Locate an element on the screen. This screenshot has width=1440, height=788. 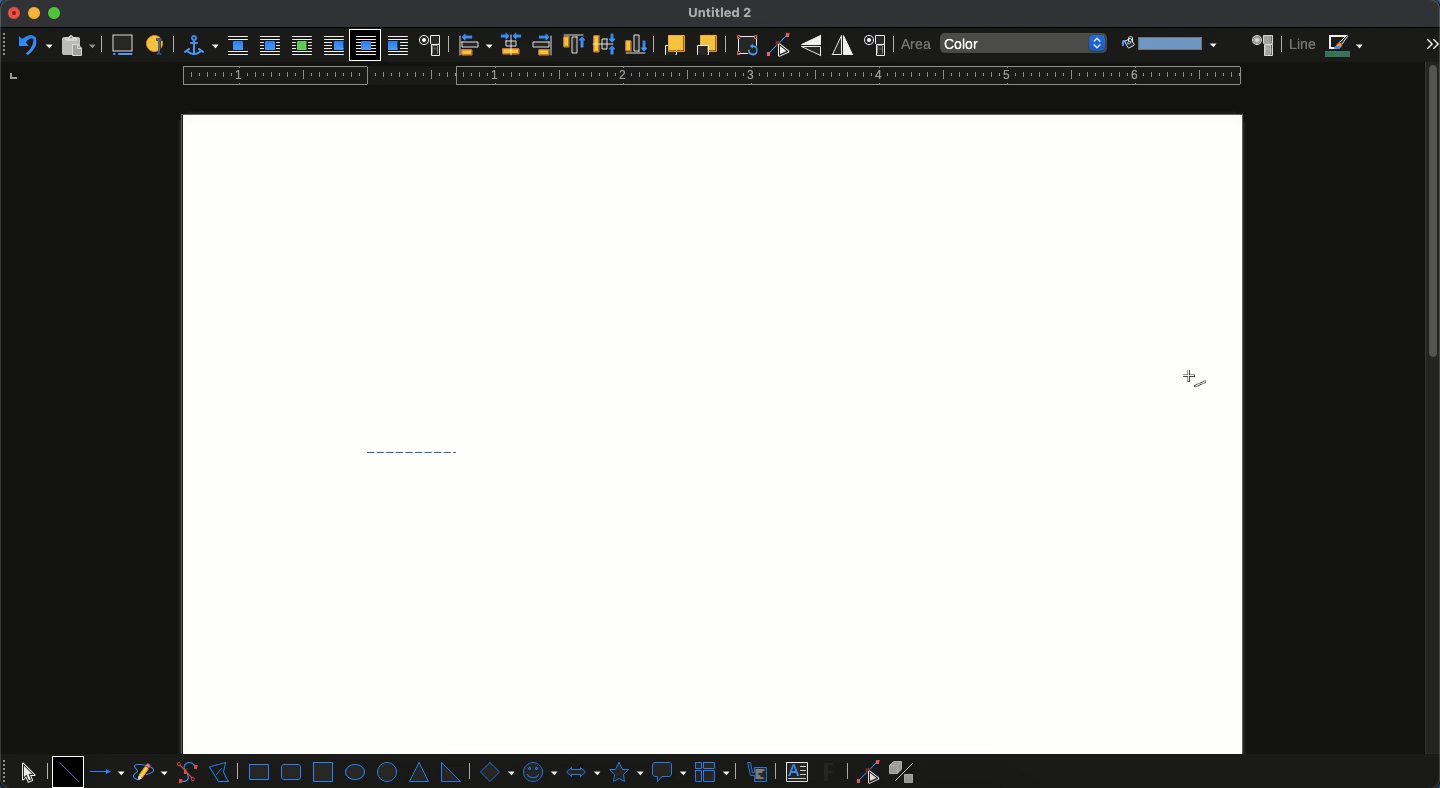
ellipse is located at coordinates (355, 772).